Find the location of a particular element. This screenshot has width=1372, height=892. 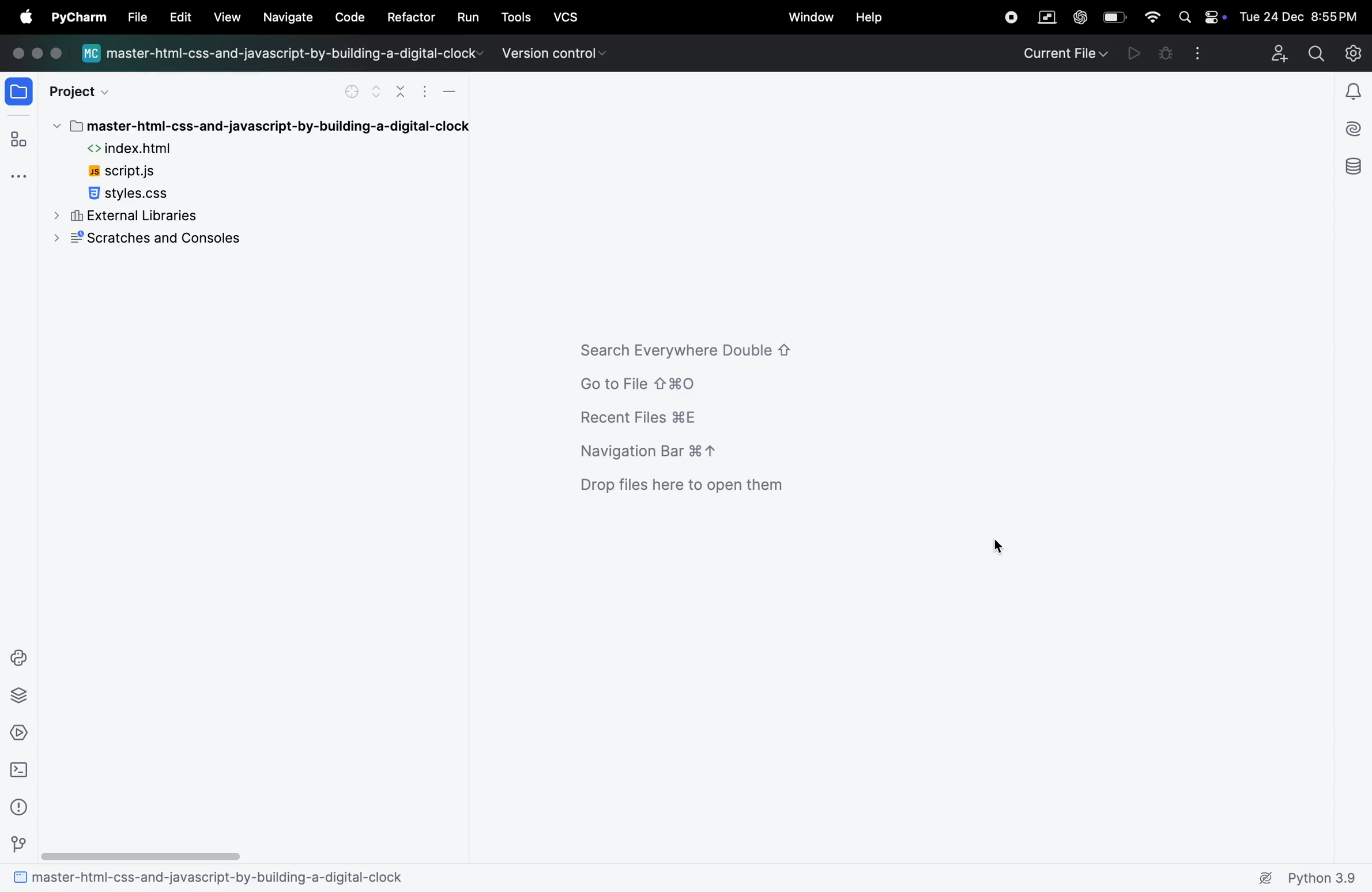

master-html-css-and-javascript-by-building-a-digital-clock is located at coordinates (262, 126).